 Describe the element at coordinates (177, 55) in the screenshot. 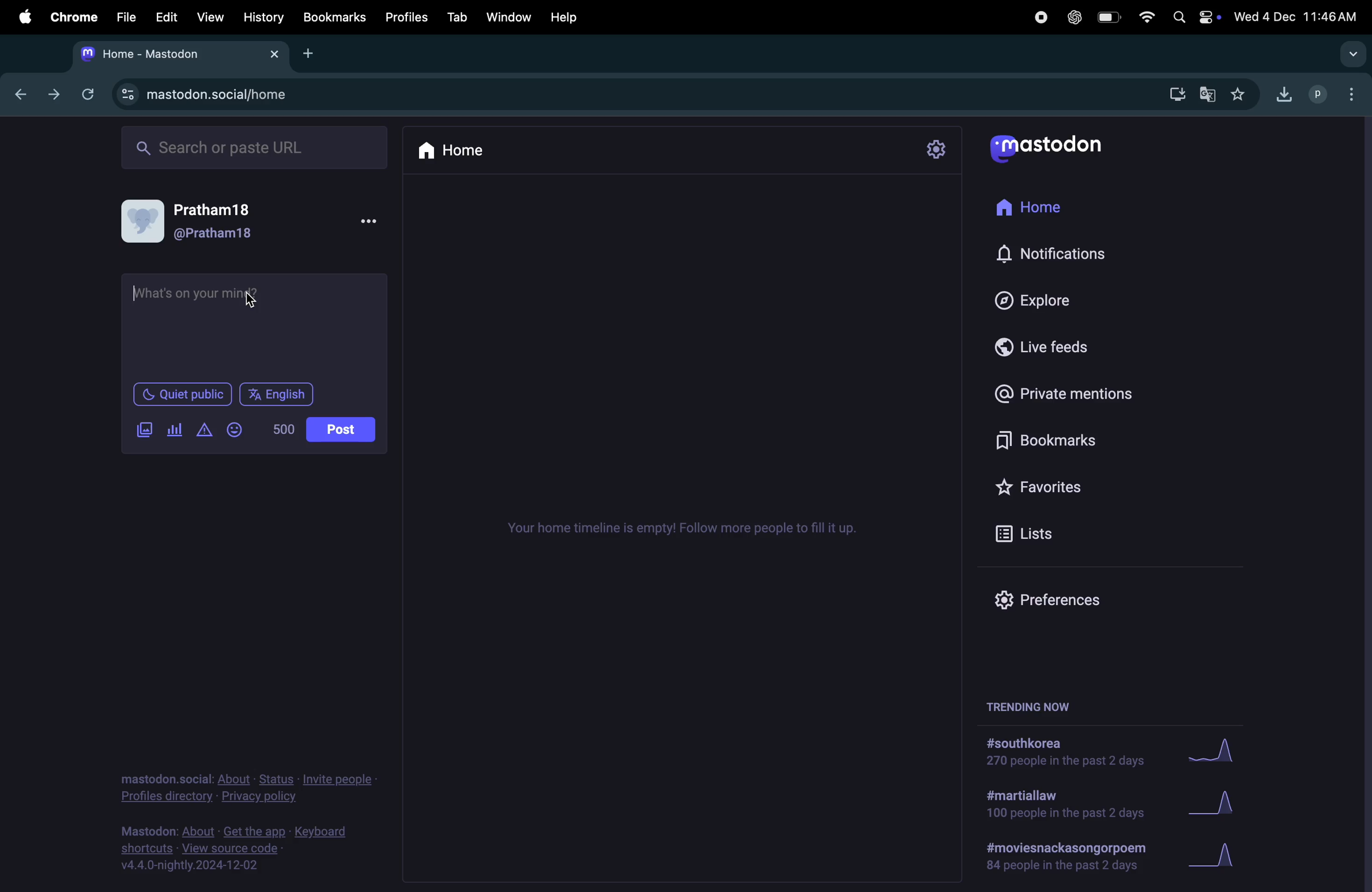

I see `mastodon` at that location.